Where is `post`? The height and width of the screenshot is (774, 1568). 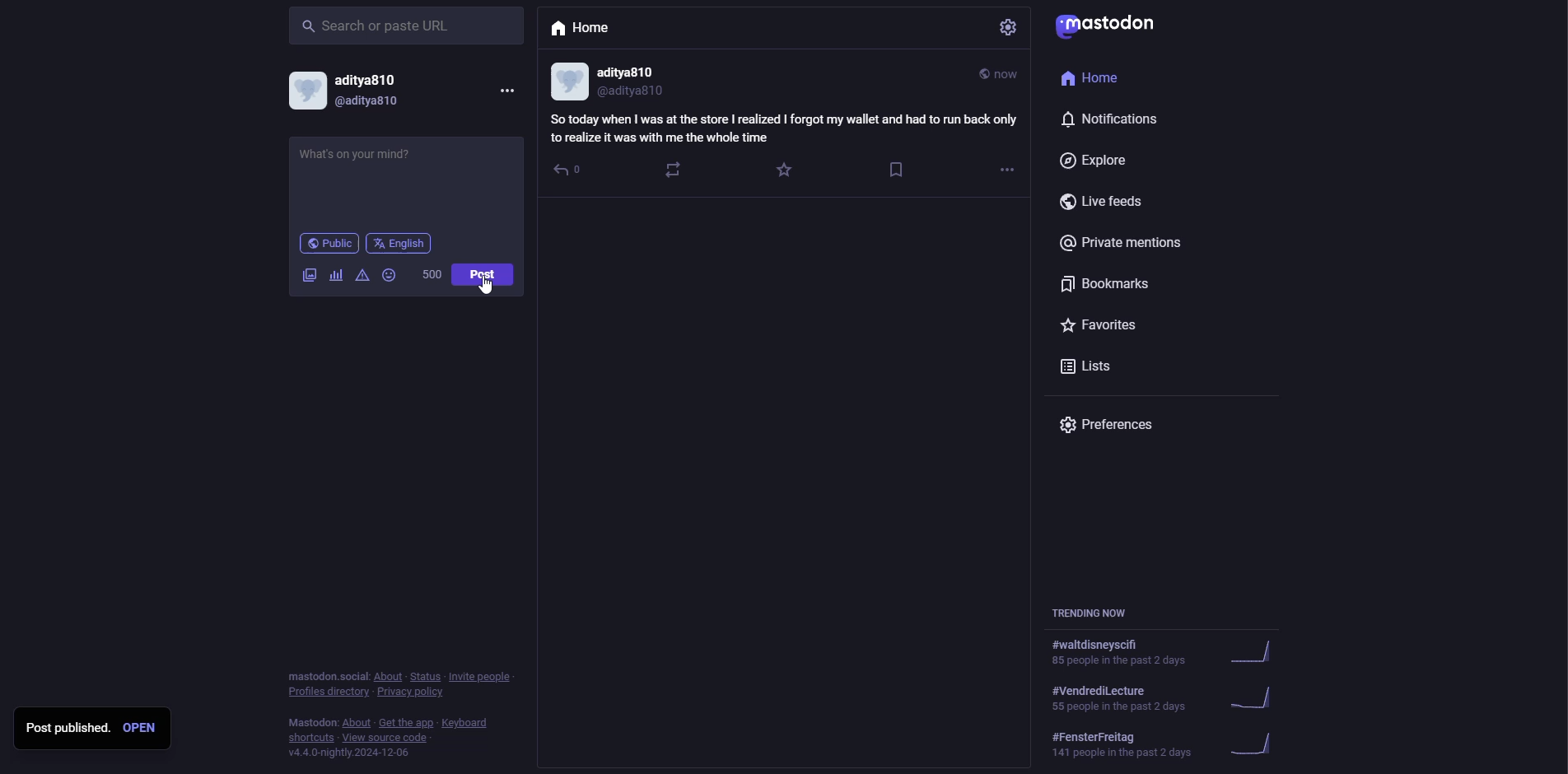
post is located at coordinates (482, 275).